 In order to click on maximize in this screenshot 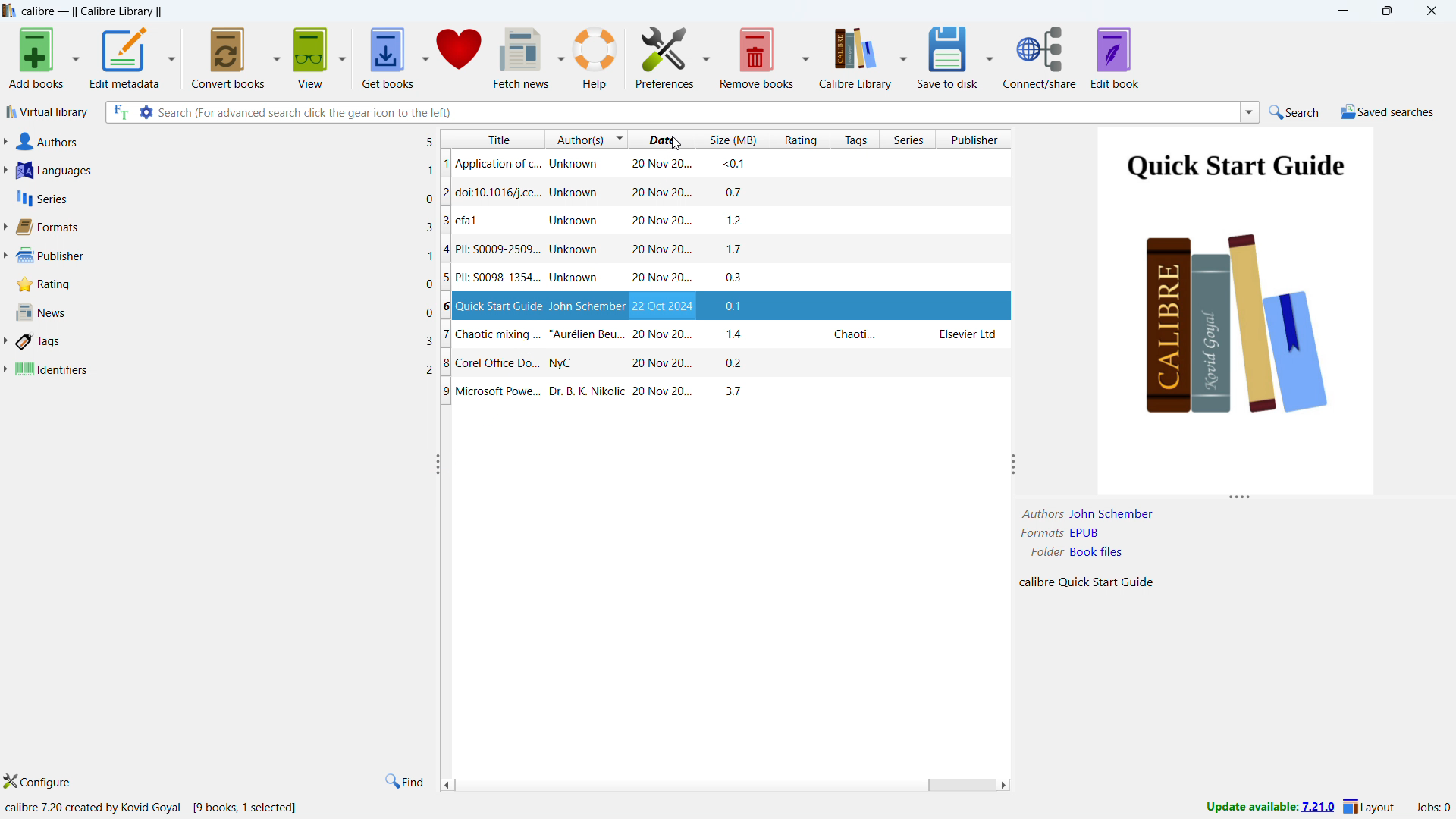, I will do `click(1385, 11)`.